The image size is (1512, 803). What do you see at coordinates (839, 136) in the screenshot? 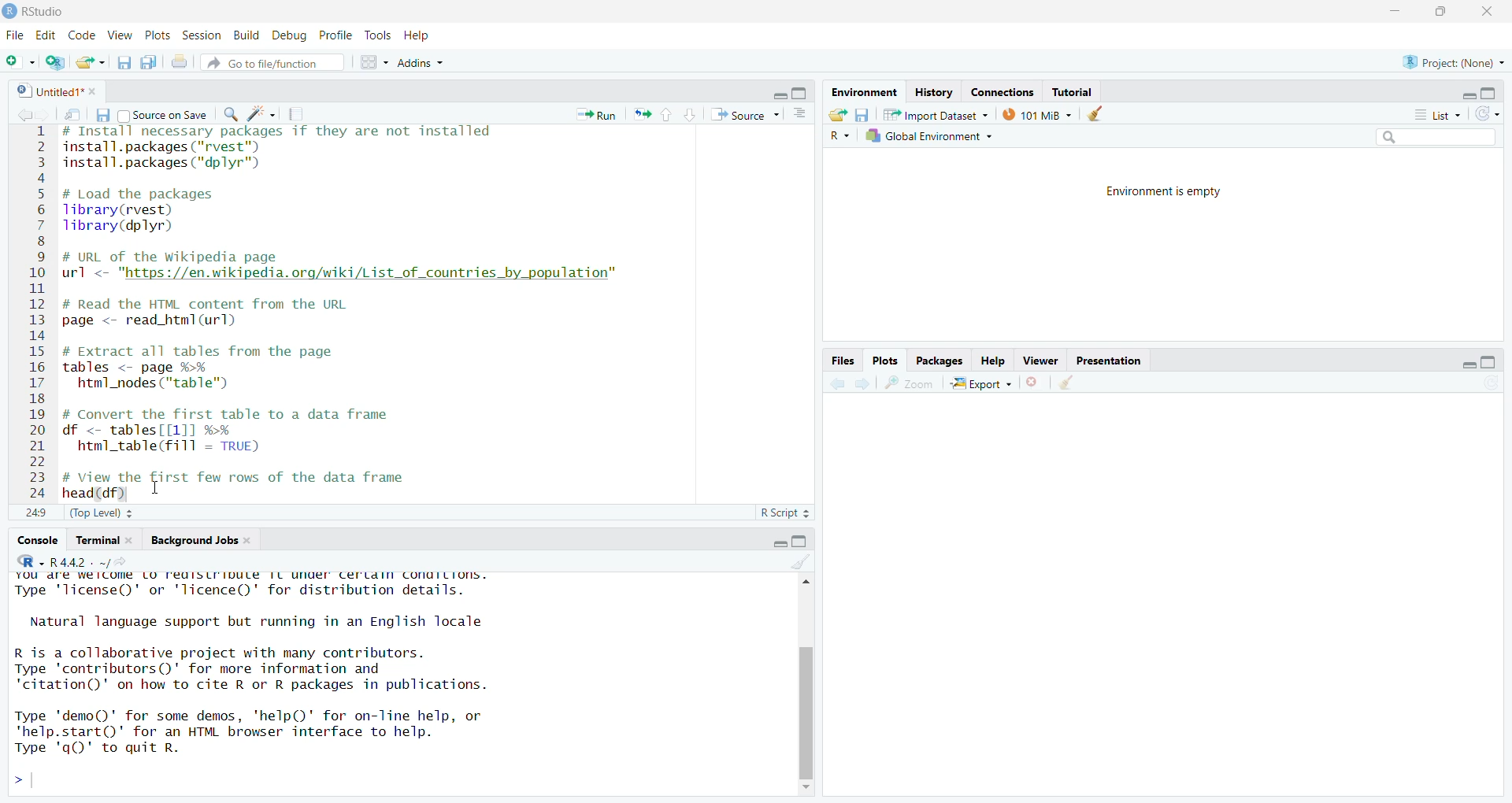
I see `R` at bounding box center [839, 136].